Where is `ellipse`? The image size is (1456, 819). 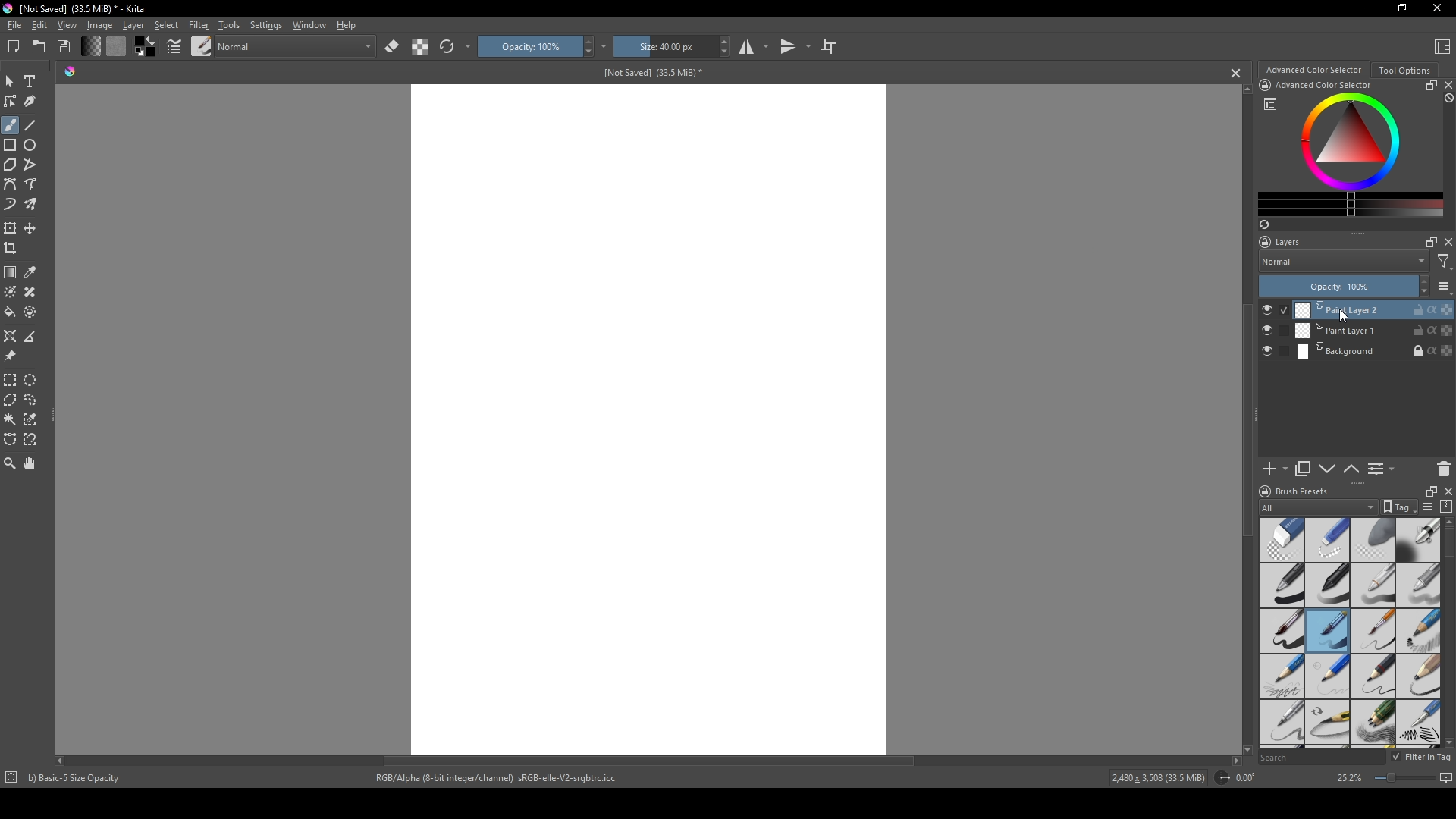
ellipse is located at coordinates (31, 145).